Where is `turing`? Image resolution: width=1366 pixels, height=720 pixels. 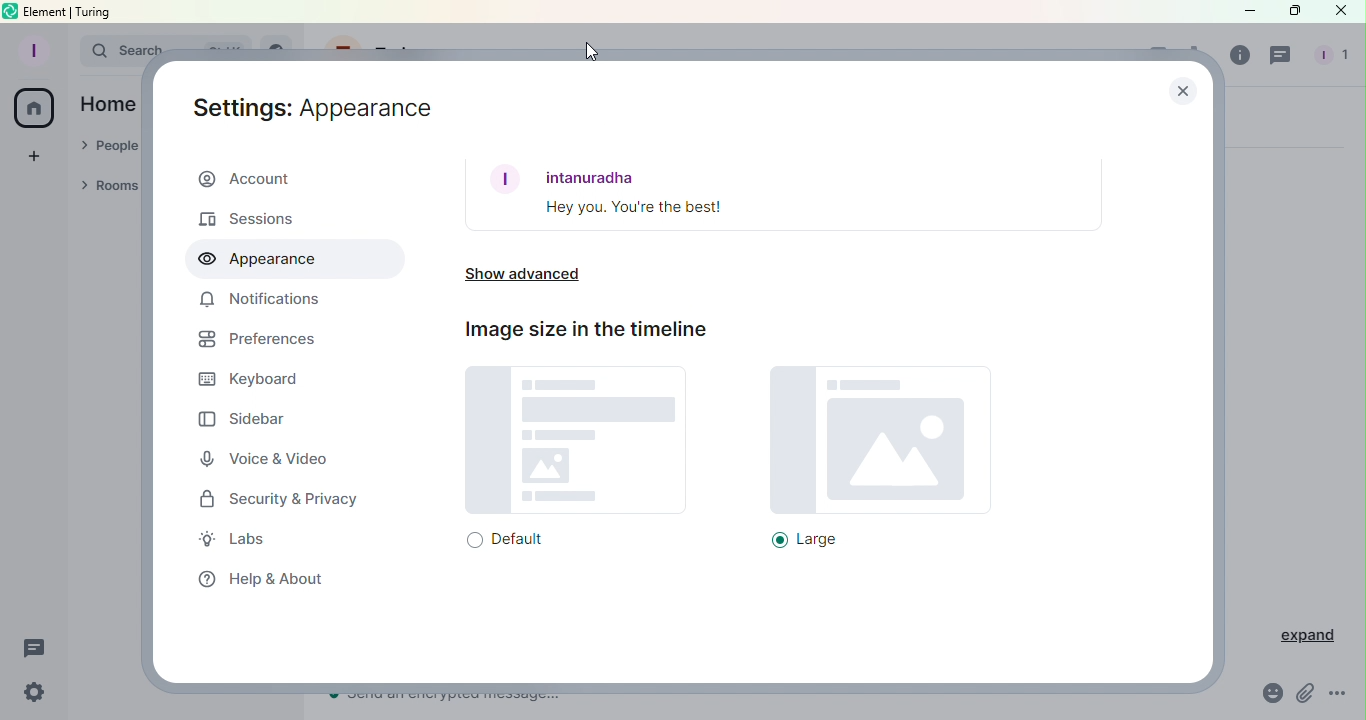
turing is located at coordinates (94, 11).